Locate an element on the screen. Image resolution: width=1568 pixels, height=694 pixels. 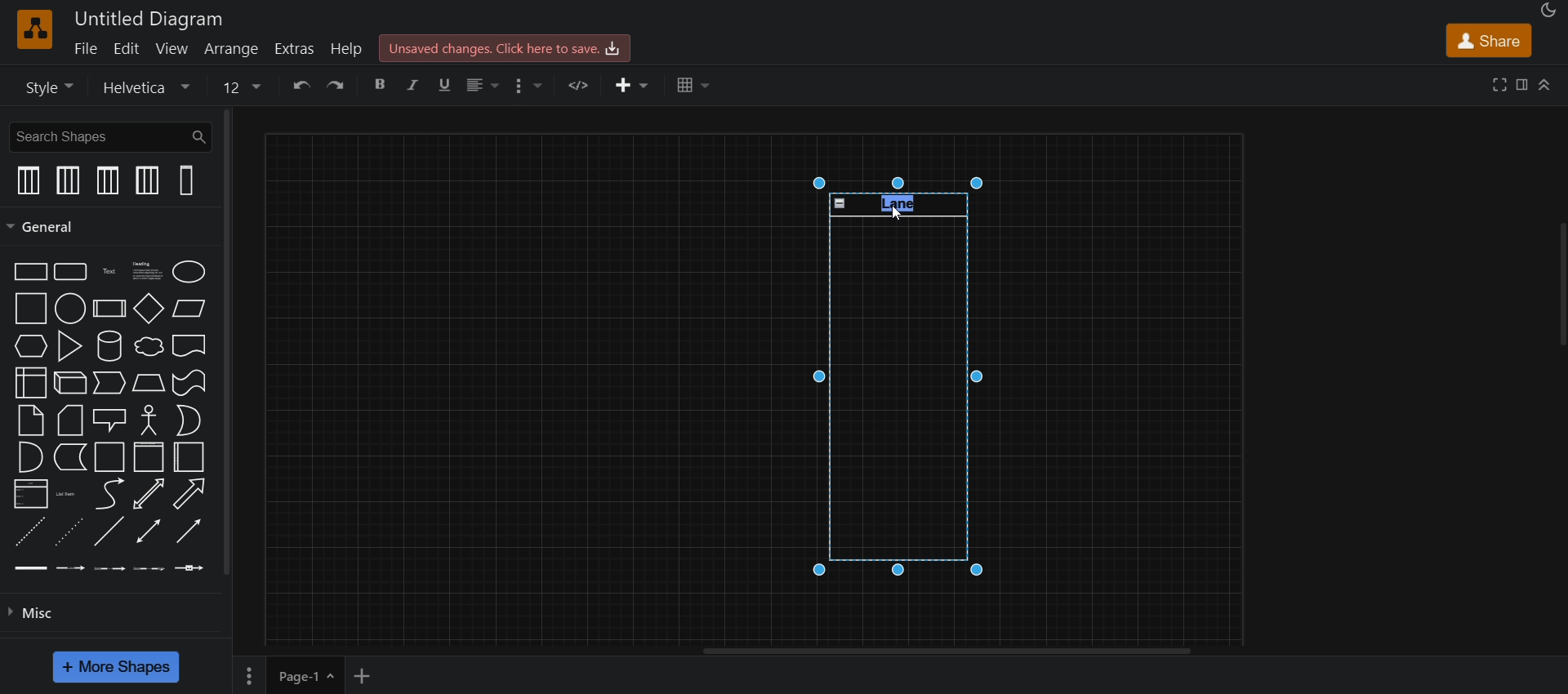
connector with label is located at coordinates (72, 568).